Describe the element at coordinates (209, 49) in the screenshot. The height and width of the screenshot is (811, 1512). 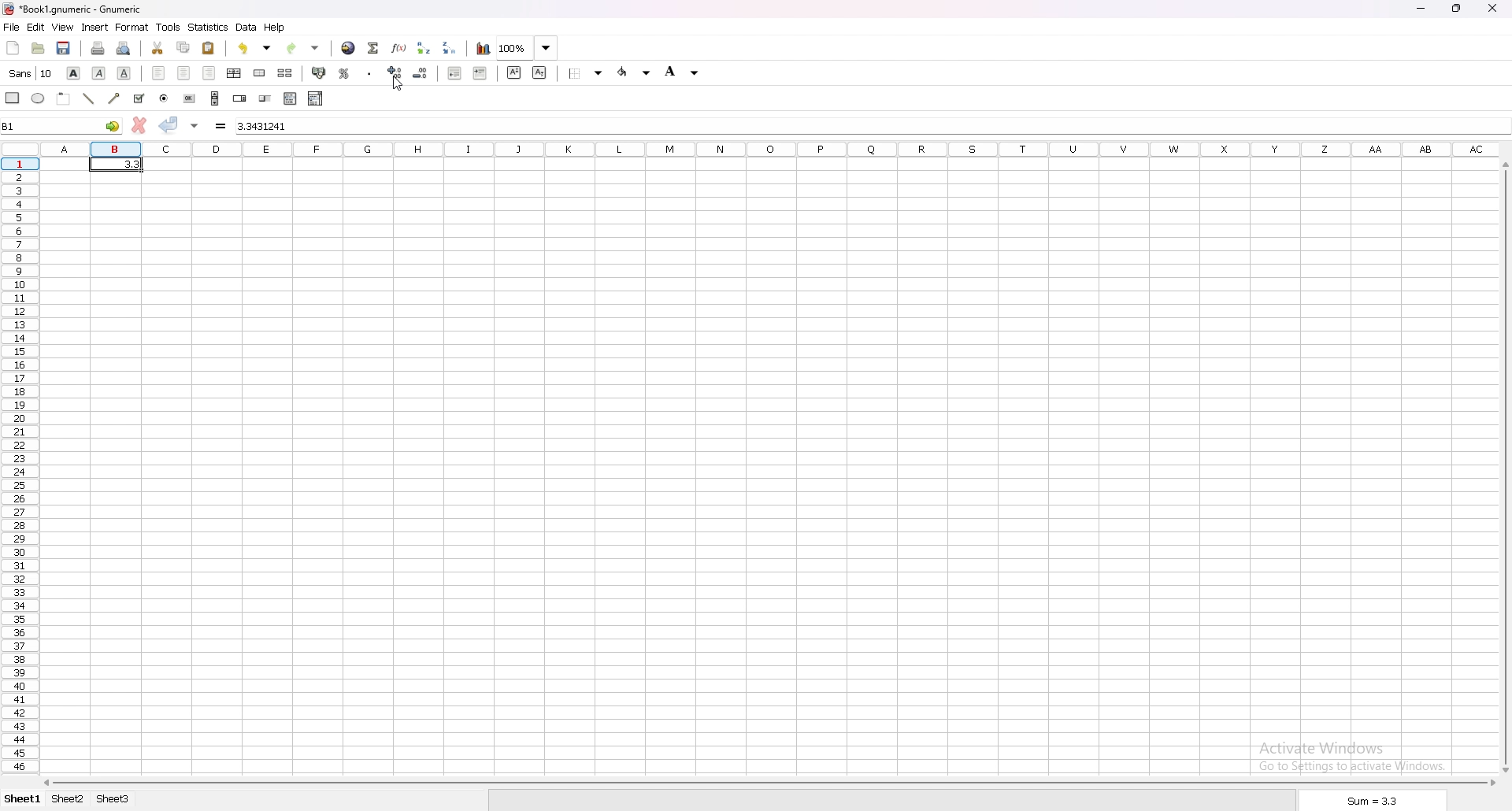
I see `paste` at that location.